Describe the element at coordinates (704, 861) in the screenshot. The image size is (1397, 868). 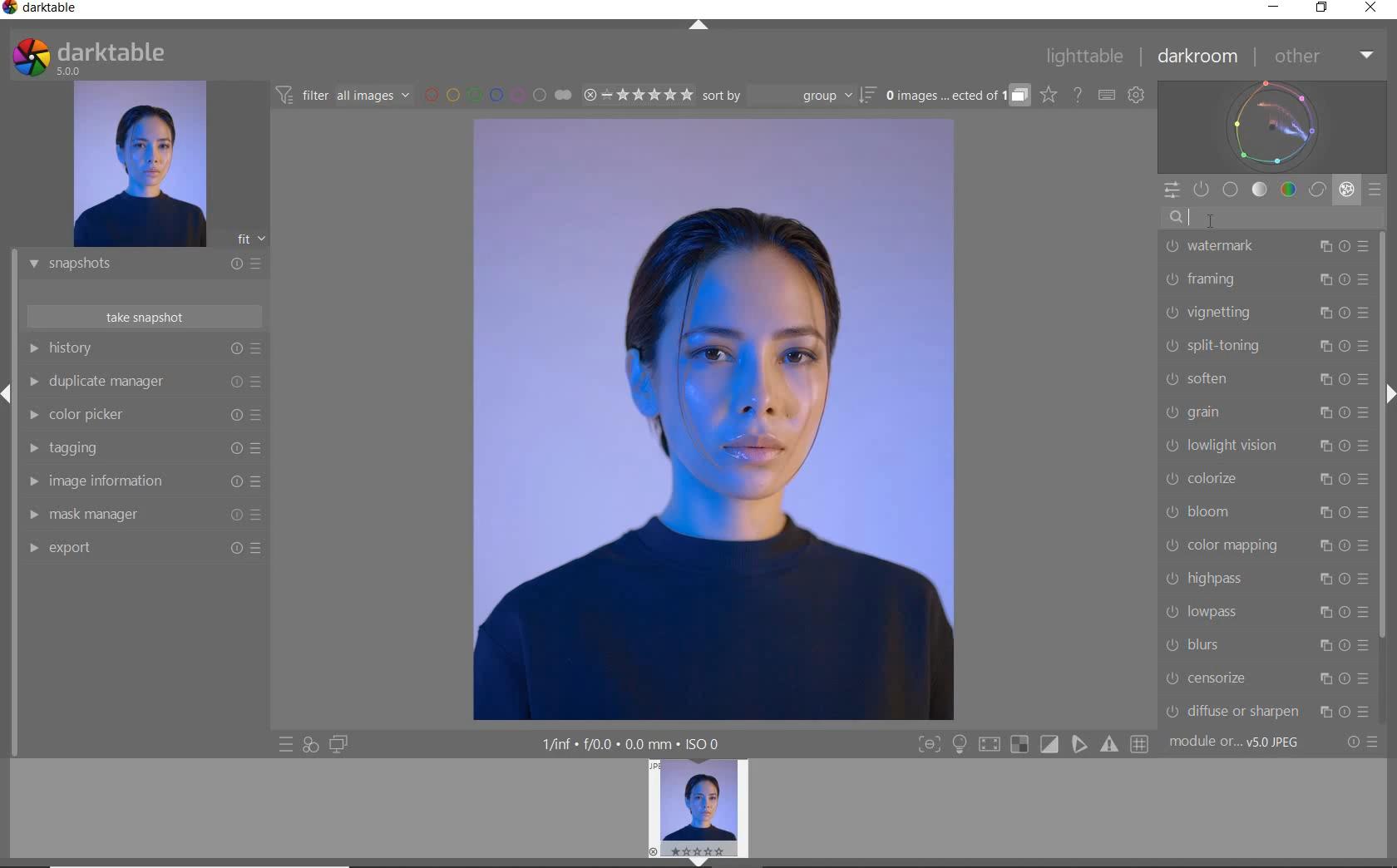
I see `EXPAND/COLLAPSE` at that location.